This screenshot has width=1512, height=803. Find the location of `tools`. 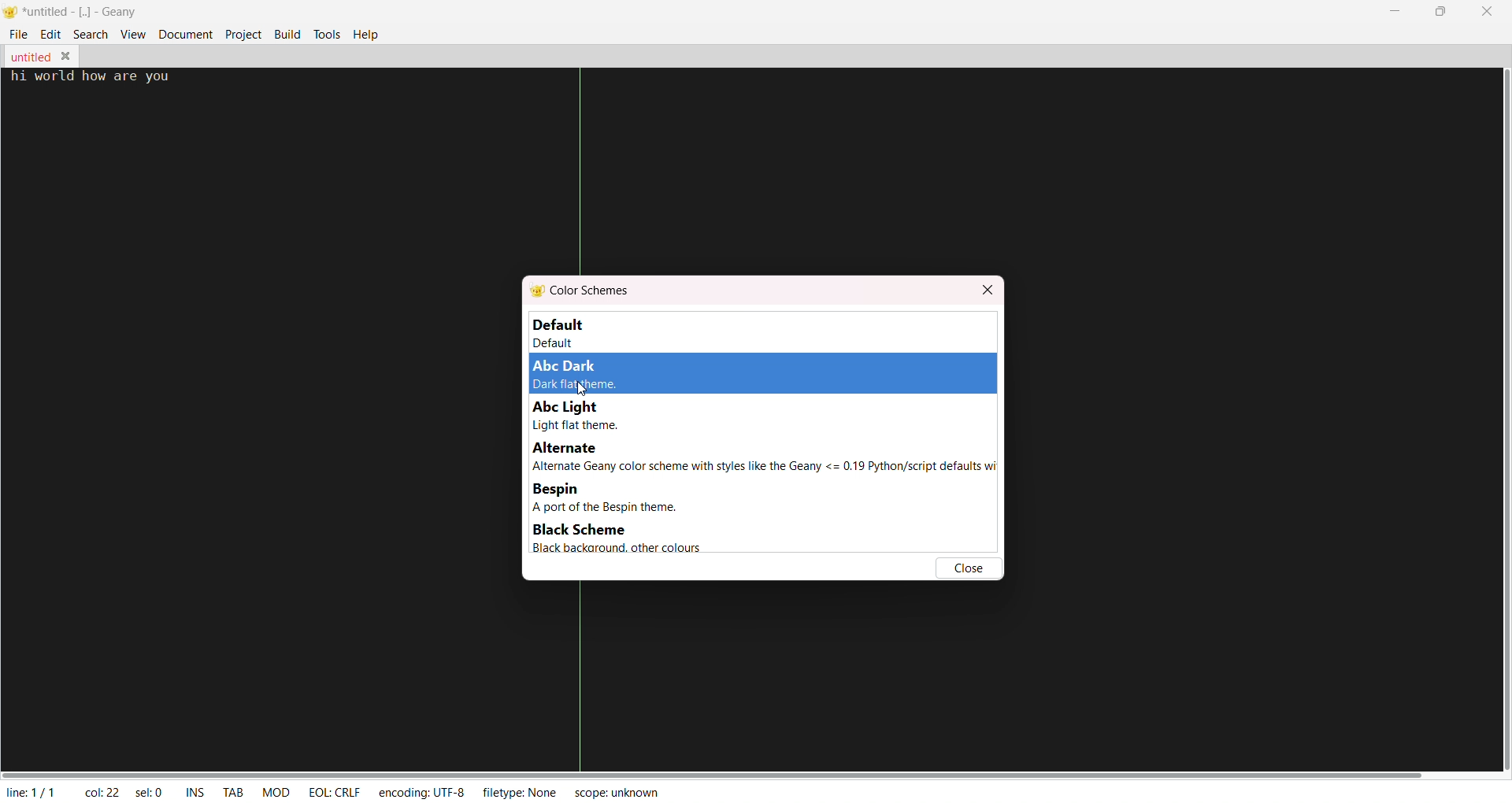

tools is located at coordinates (325, 35).